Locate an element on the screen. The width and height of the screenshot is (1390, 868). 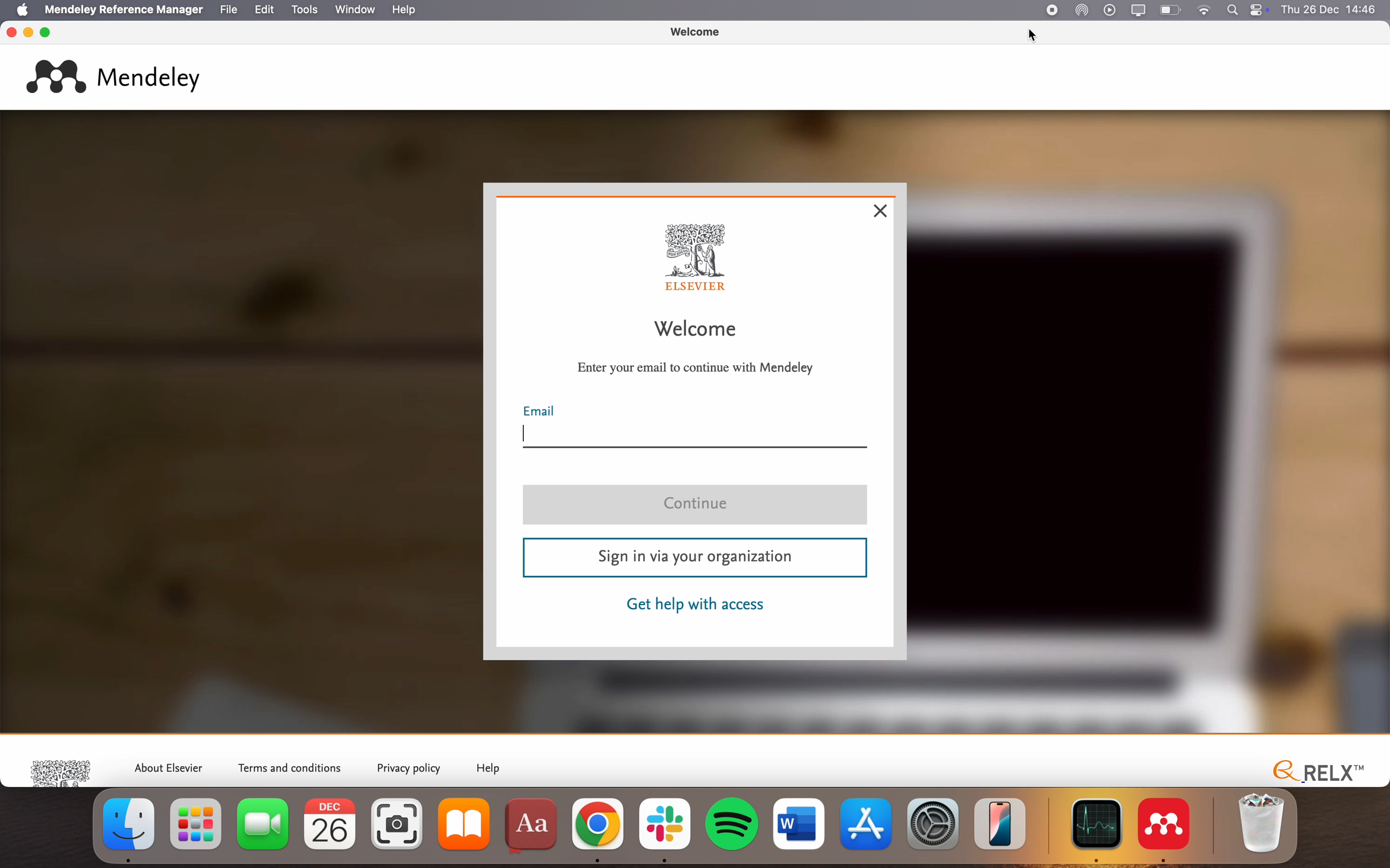
about elsevier is located at coordinates (169, 765).